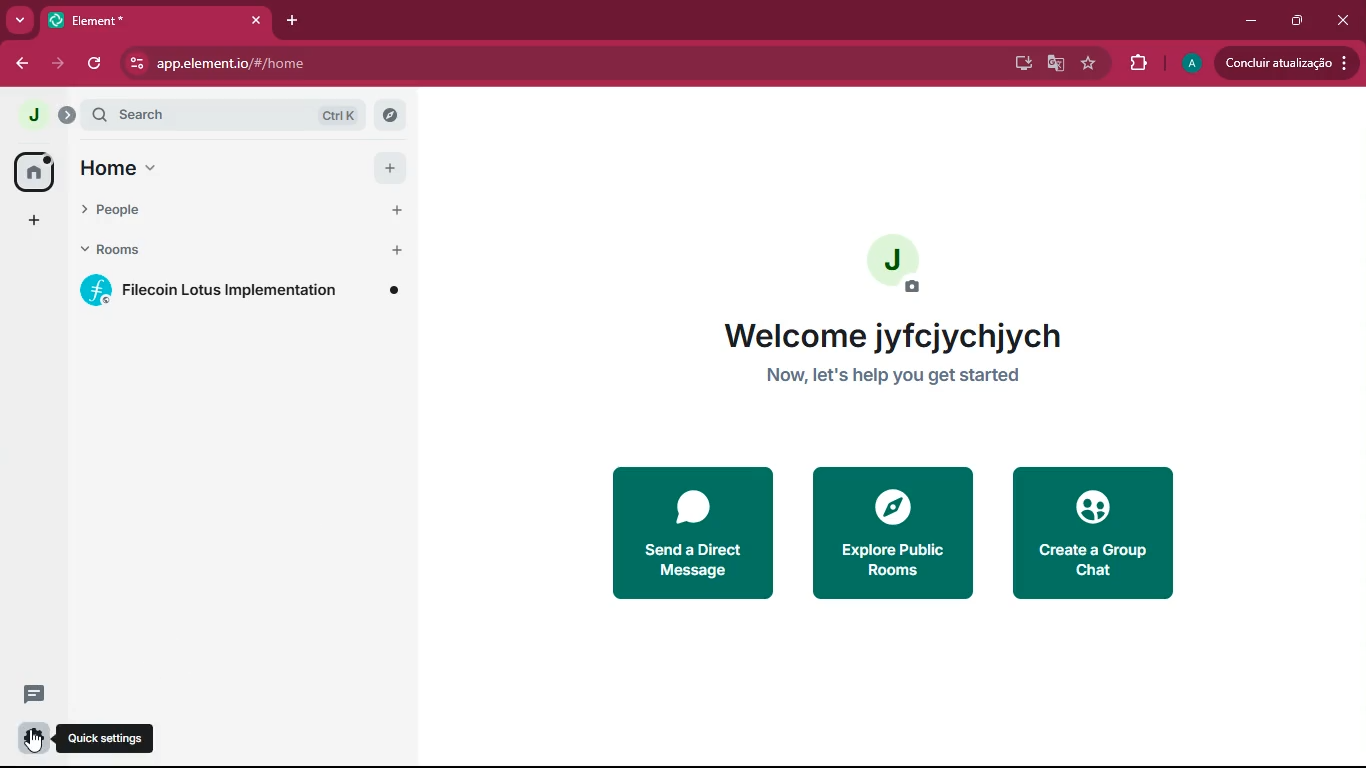  Describe the element at coordinates (35, 741) in the screenshot. I see `cursor` at that location.